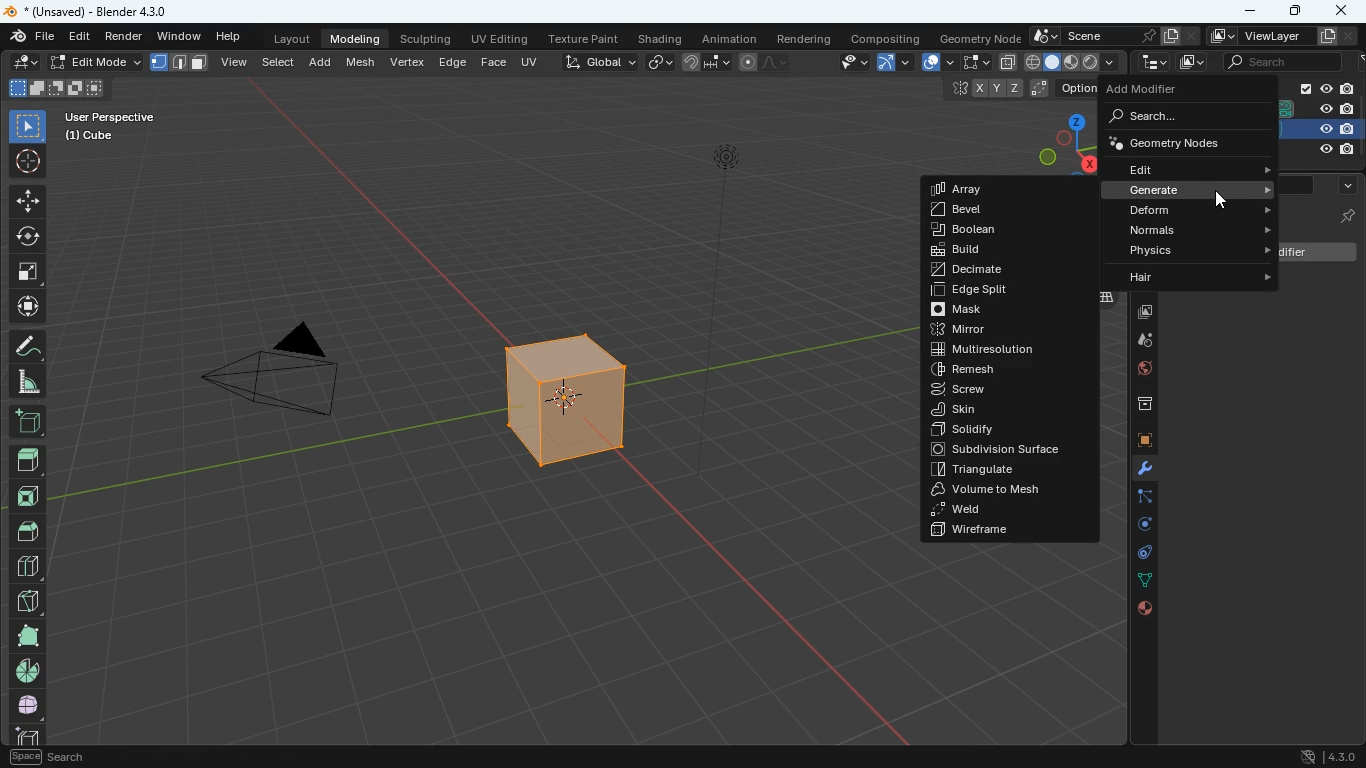 The image size is (1366, 768). I want to click on close app, so click(1341, 9).